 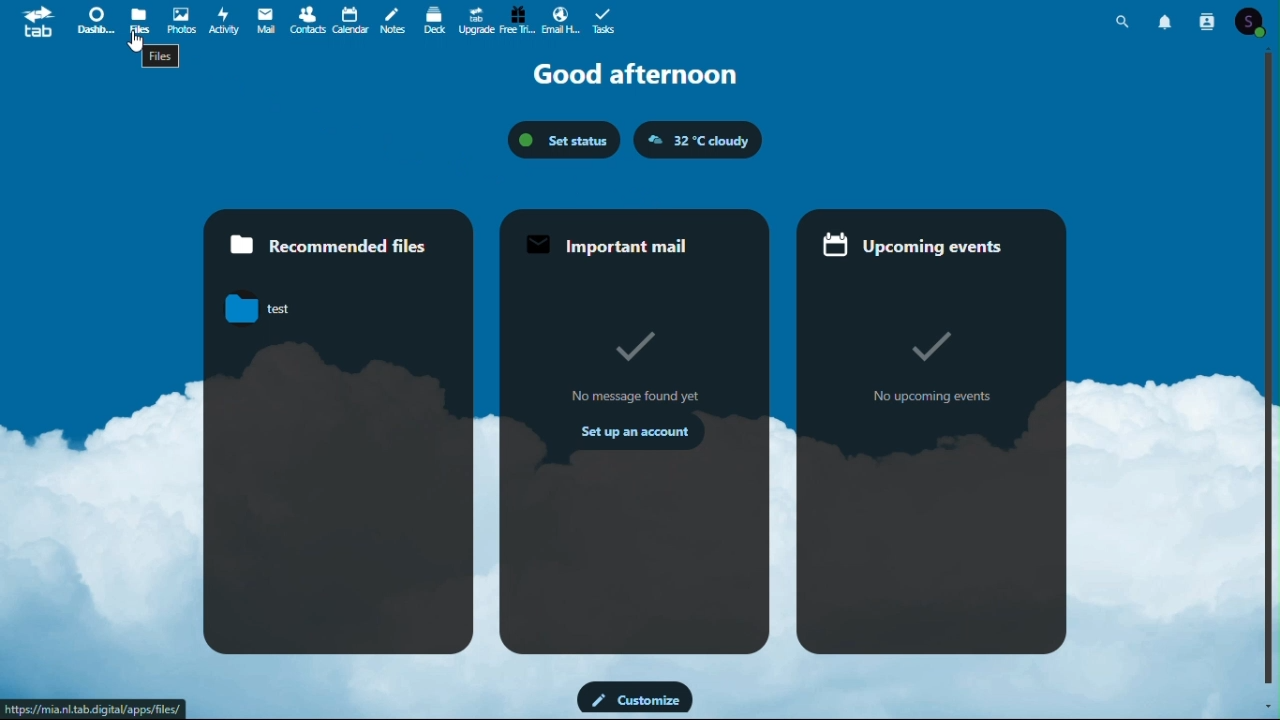 I want to click on No upcoming events, so click(x=925, y=402).